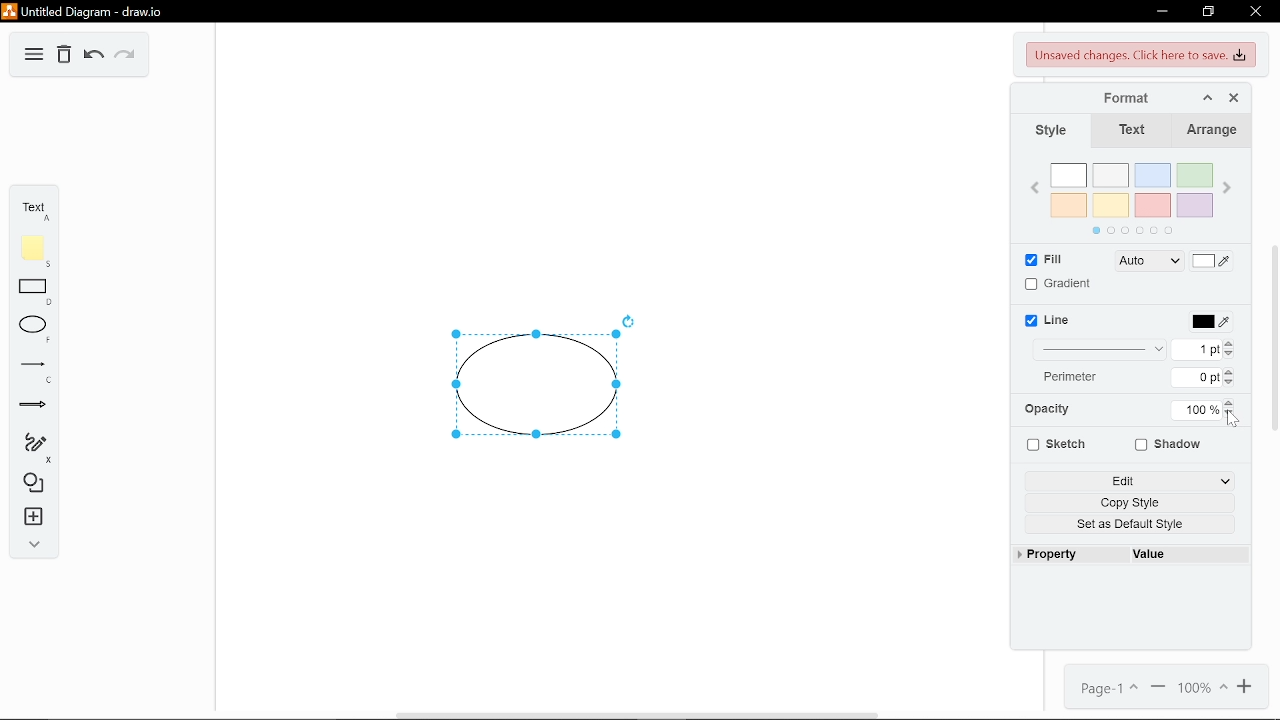 The height and width of the screenshot is (720, 1280). Describe the element at coordinates (31, 365) in the screenshot. I see `Line` at that location.